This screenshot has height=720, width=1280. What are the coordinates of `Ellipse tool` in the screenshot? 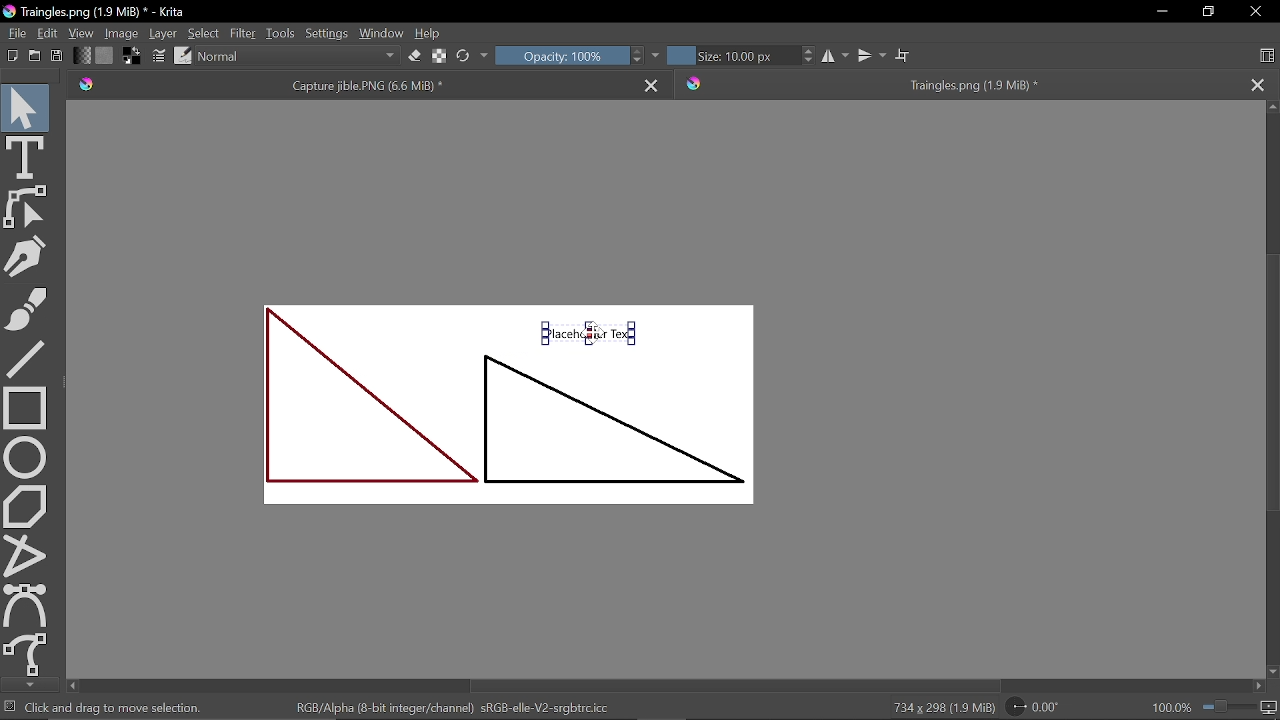 It's located at (26, 457).